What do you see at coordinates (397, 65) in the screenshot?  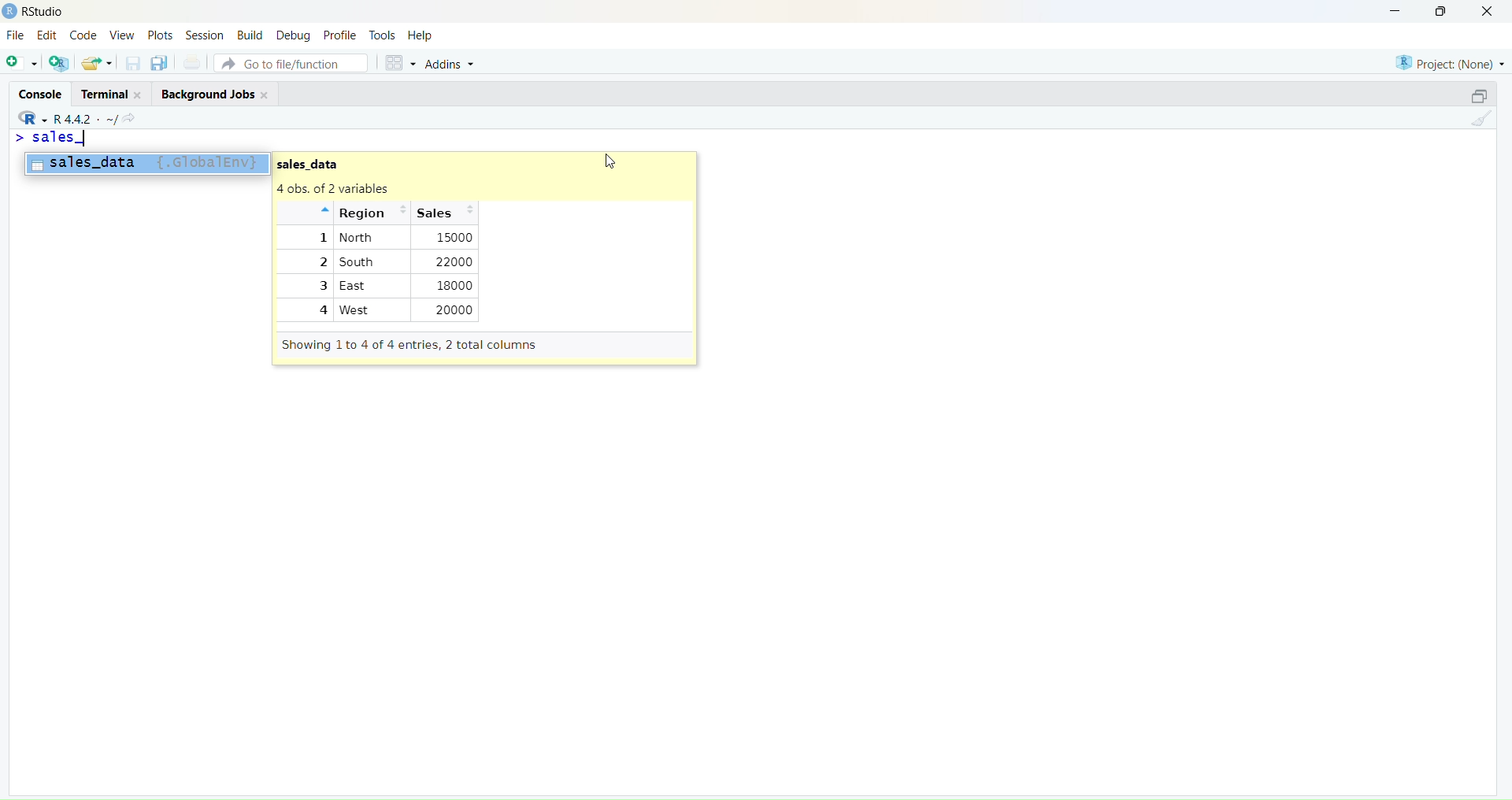 I see `grid view` at bounding box center [397, 65].